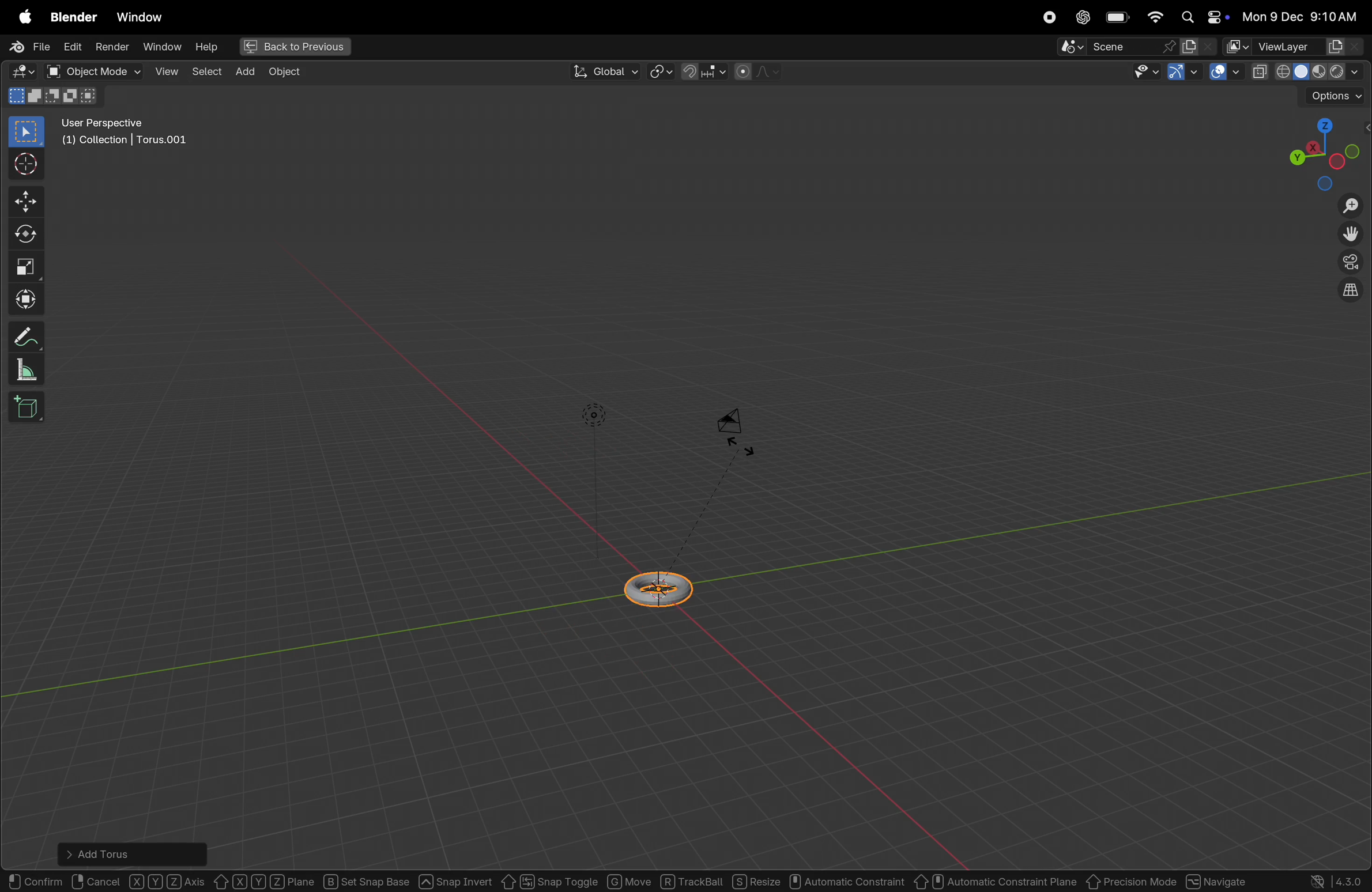 The image size is (1372, 892). What do you see at coordinates (293, 48) in the screenshot?
I see `back to previous` at bounding box center [293, 48].